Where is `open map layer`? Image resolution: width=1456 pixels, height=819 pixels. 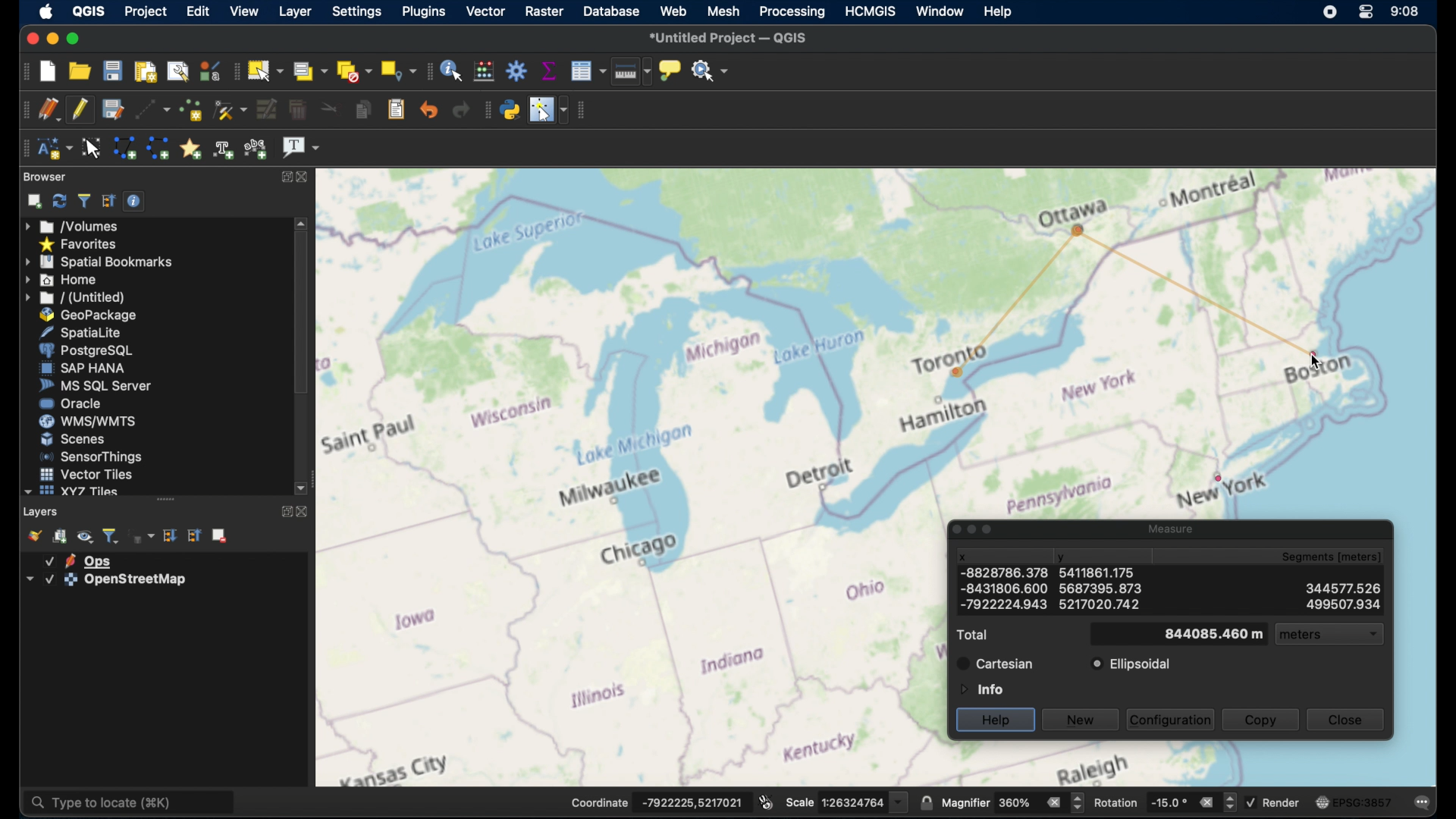 open map layer is located at coordinates (31, 535).